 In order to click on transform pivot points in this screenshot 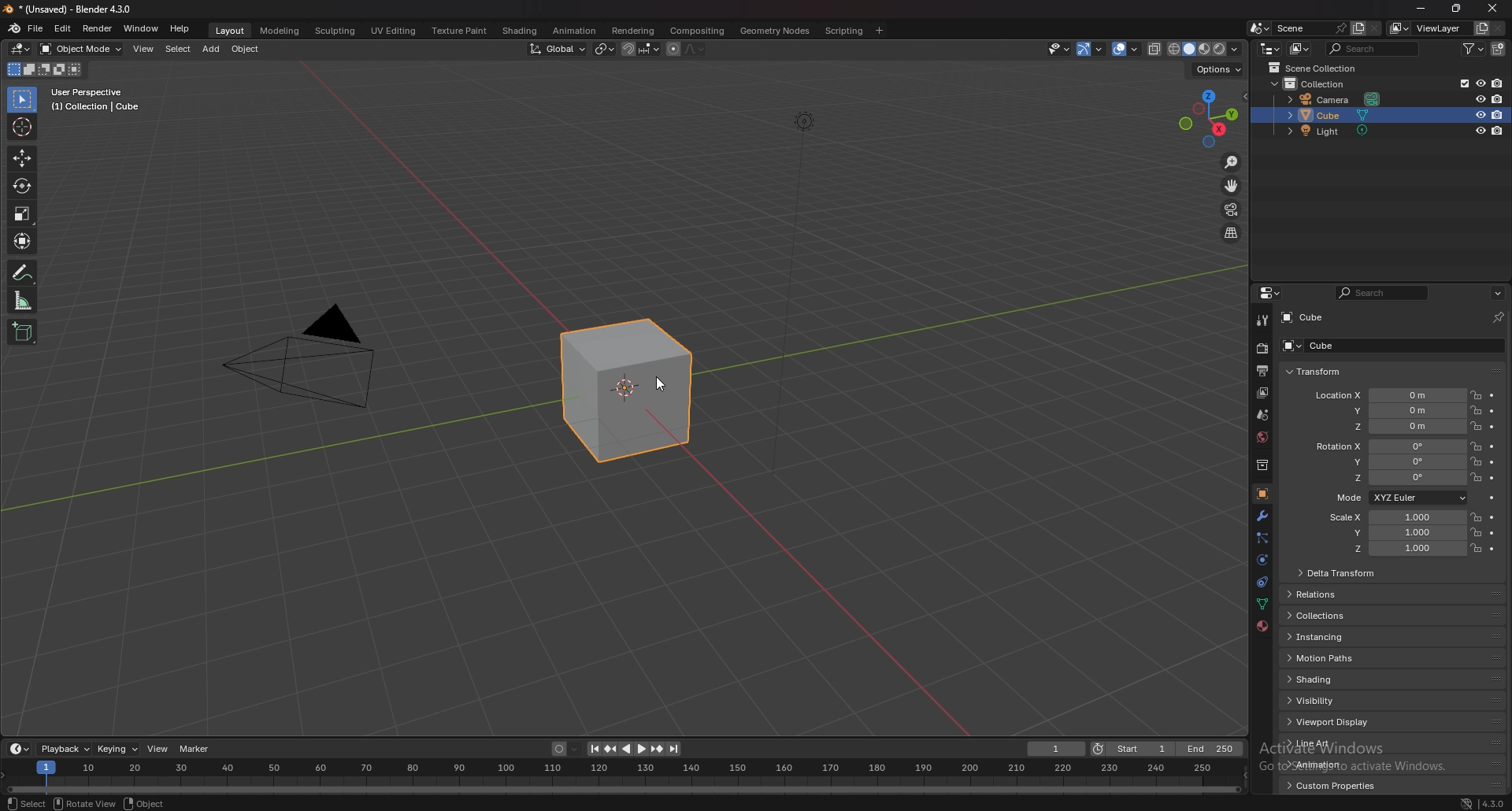, I will do `click(606, 49)`.